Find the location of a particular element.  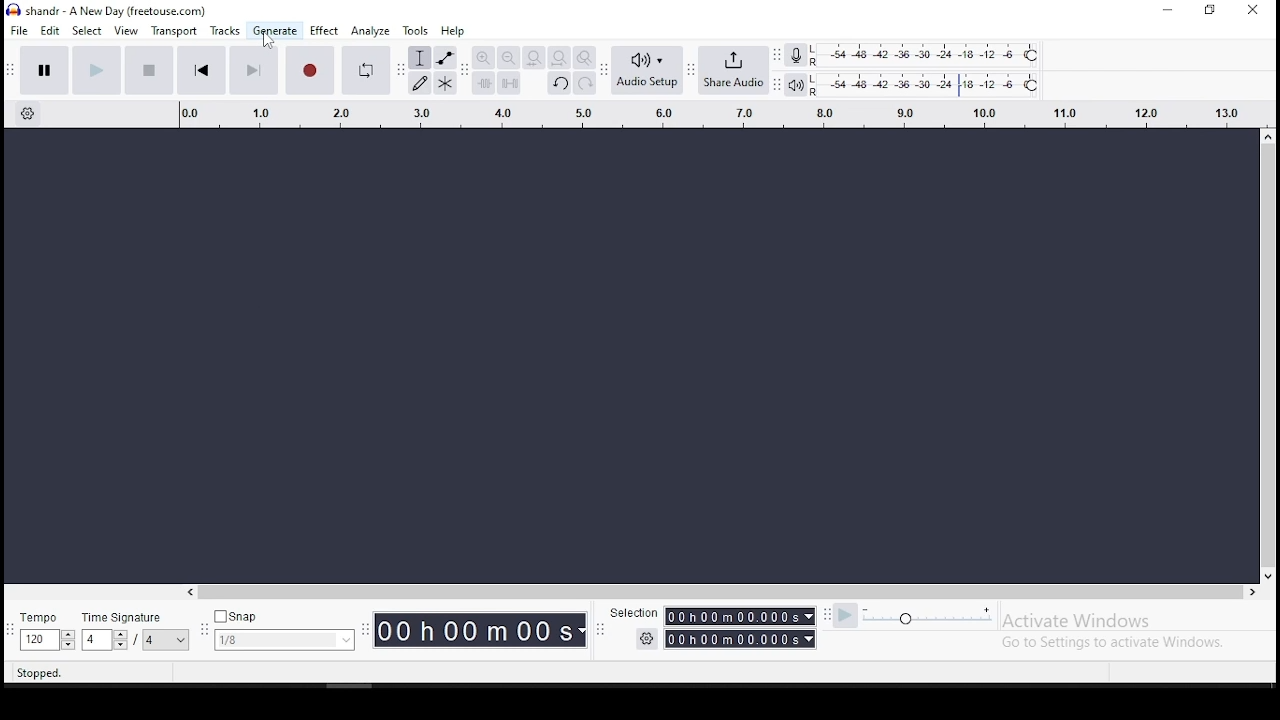

zoom in is located at coordinates (483, 58).